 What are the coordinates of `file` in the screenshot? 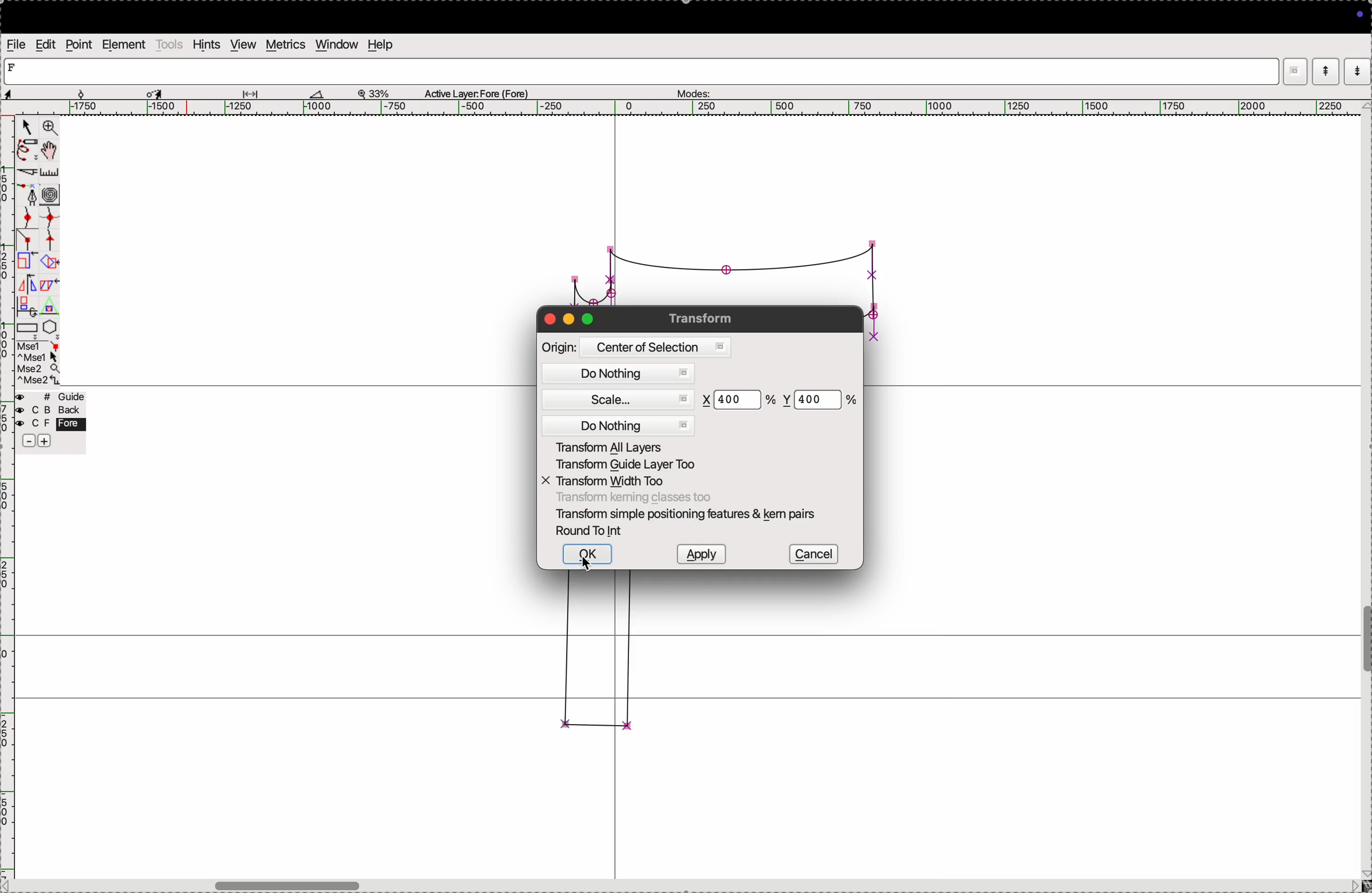 It's located at (17, 44).